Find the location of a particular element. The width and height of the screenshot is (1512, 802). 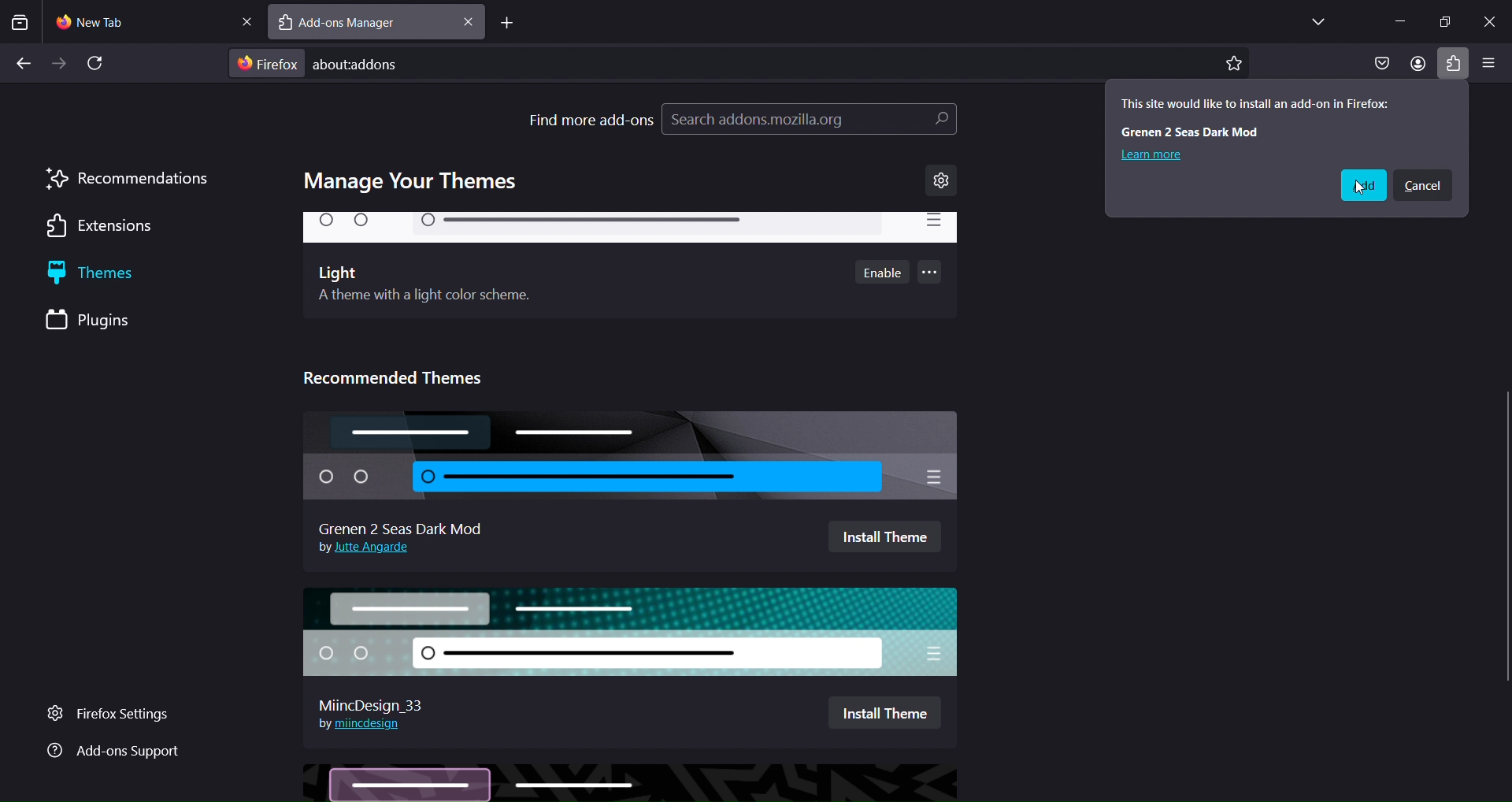

firefox is located at coordinates (268, 64).